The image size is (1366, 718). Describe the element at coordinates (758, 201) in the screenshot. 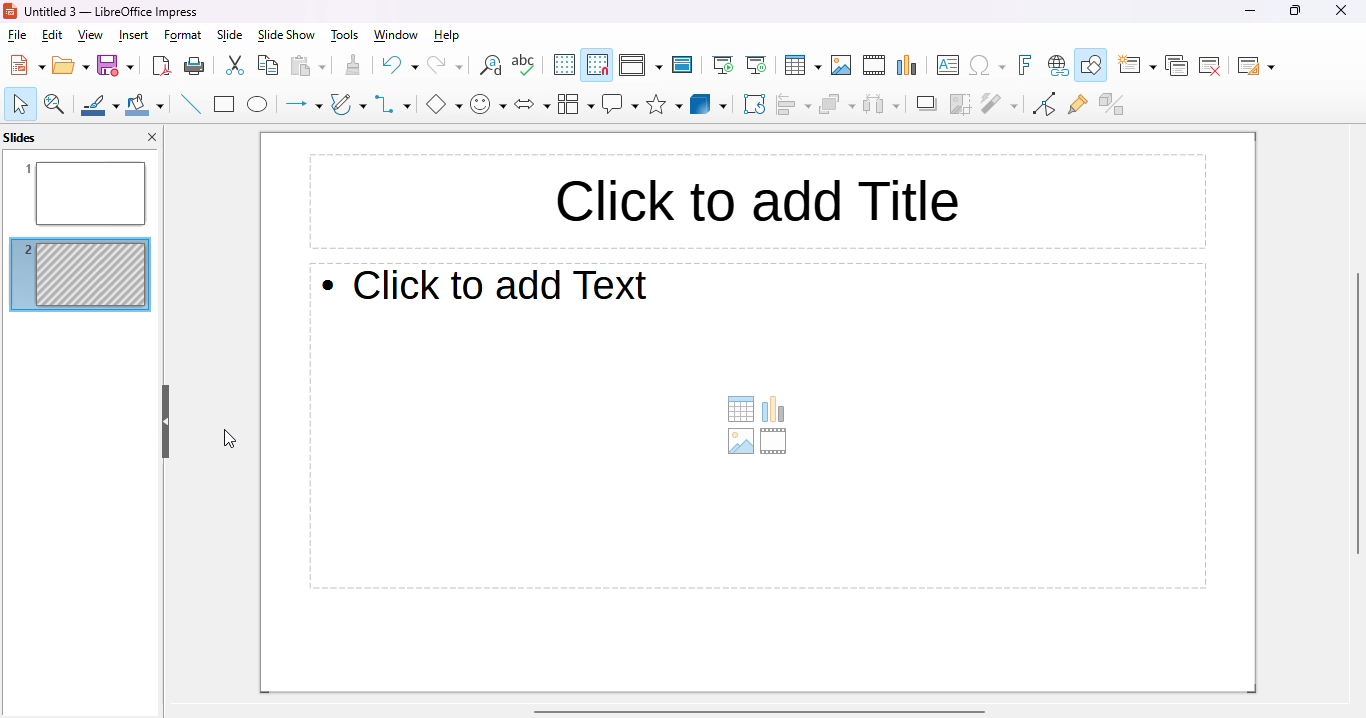

I see `click to add title` at that location.